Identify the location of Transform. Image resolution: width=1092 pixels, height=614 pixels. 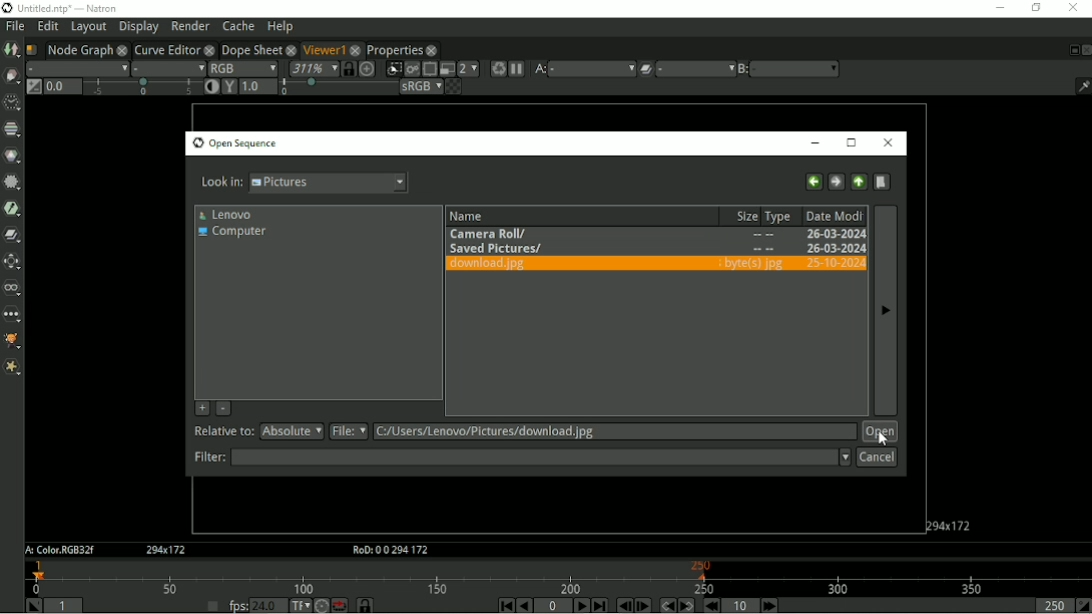
(12, 260).